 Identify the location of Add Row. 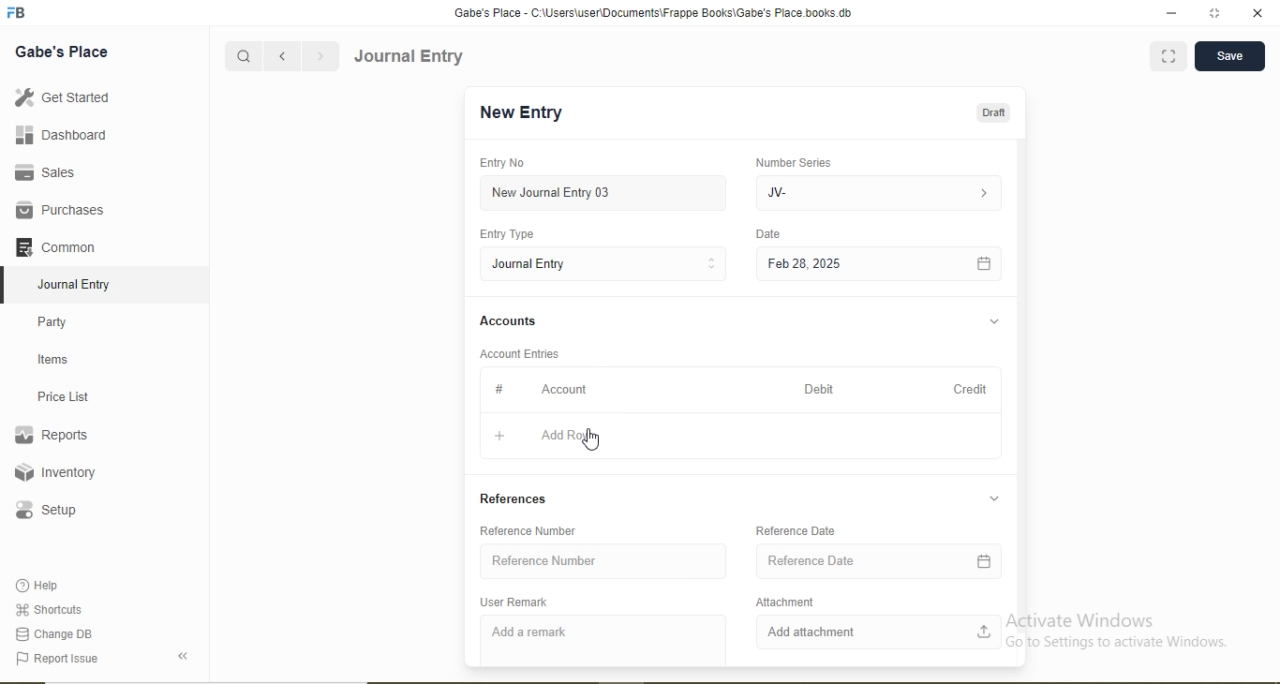
(567, 435).